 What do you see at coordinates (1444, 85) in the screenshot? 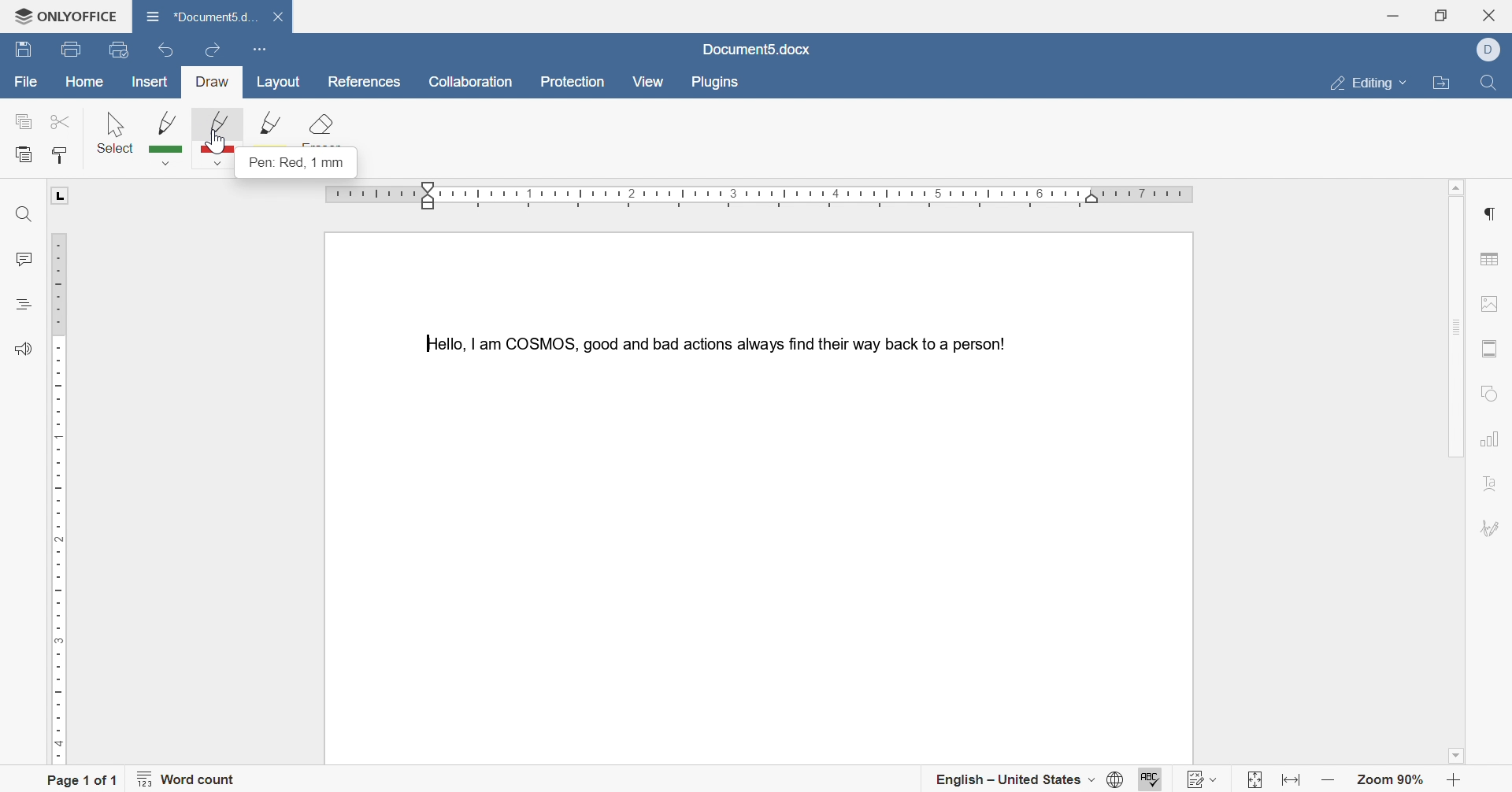
I see `open file location` at bounding box center [1444, 85].